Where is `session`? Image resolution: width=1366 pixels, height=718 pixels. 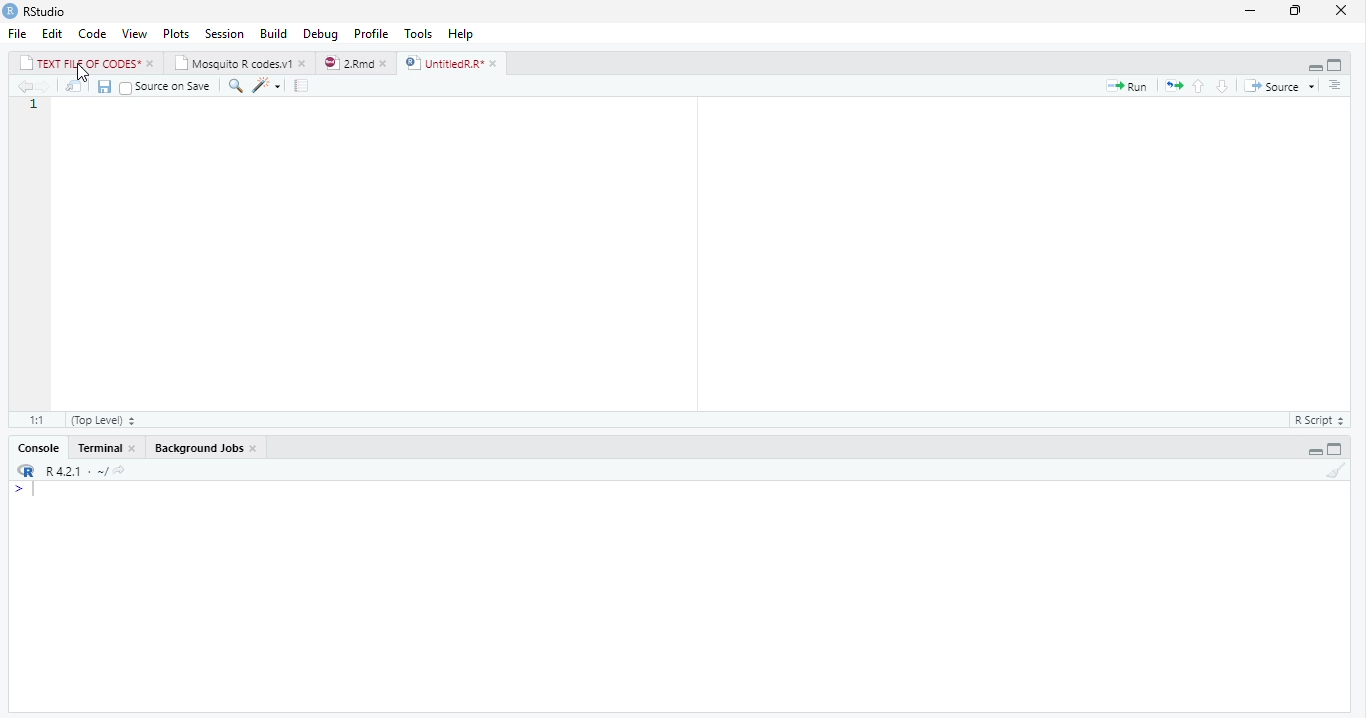
session is located at coordinates (224, 34).